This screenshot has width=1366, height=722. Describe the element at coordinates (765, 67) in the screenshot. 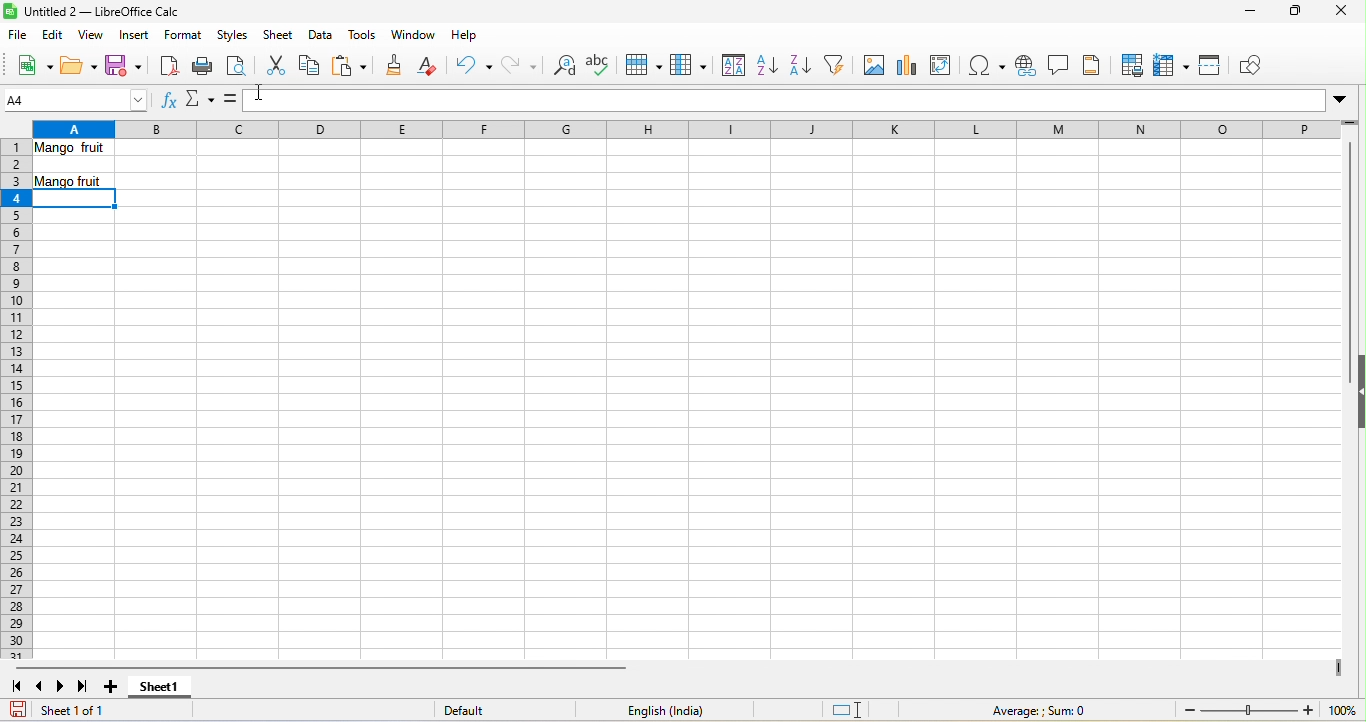

I see `sort ascending` at that location.